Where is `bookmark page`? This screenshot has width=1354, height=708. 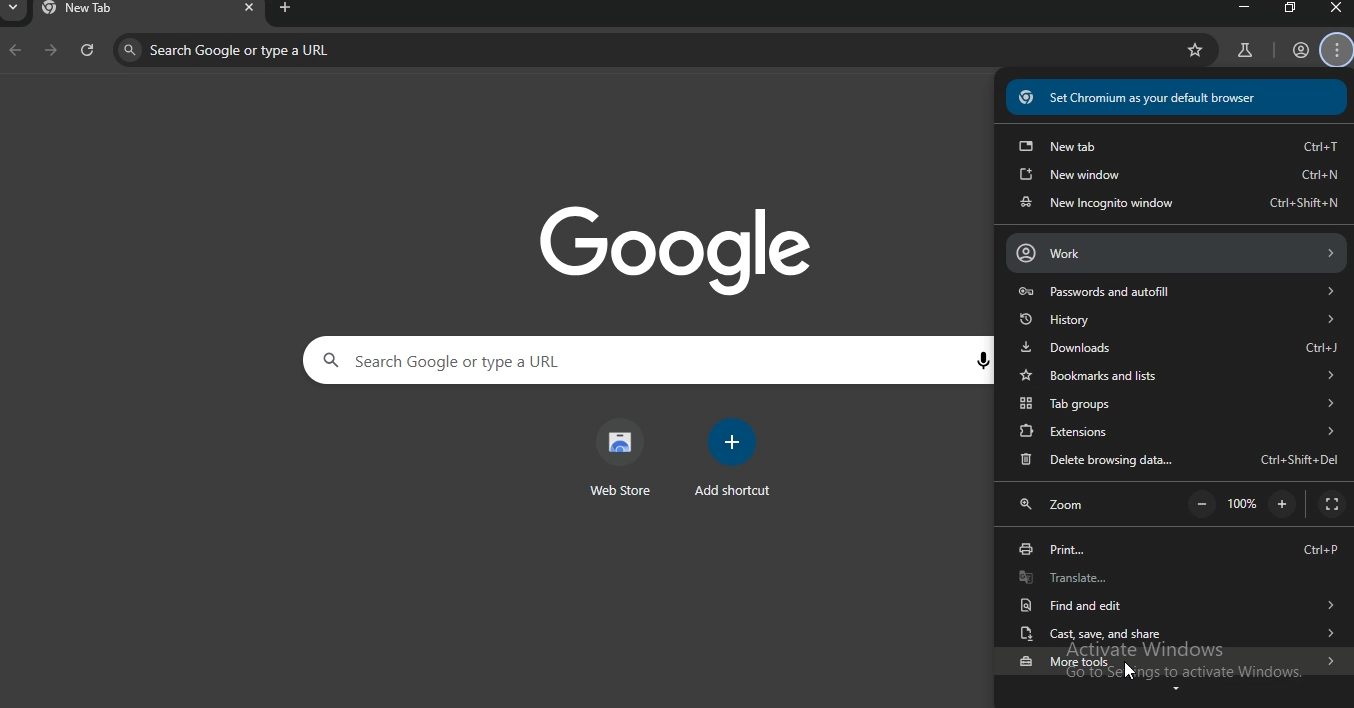 bookmark page is located at coordinates (1196, 51).